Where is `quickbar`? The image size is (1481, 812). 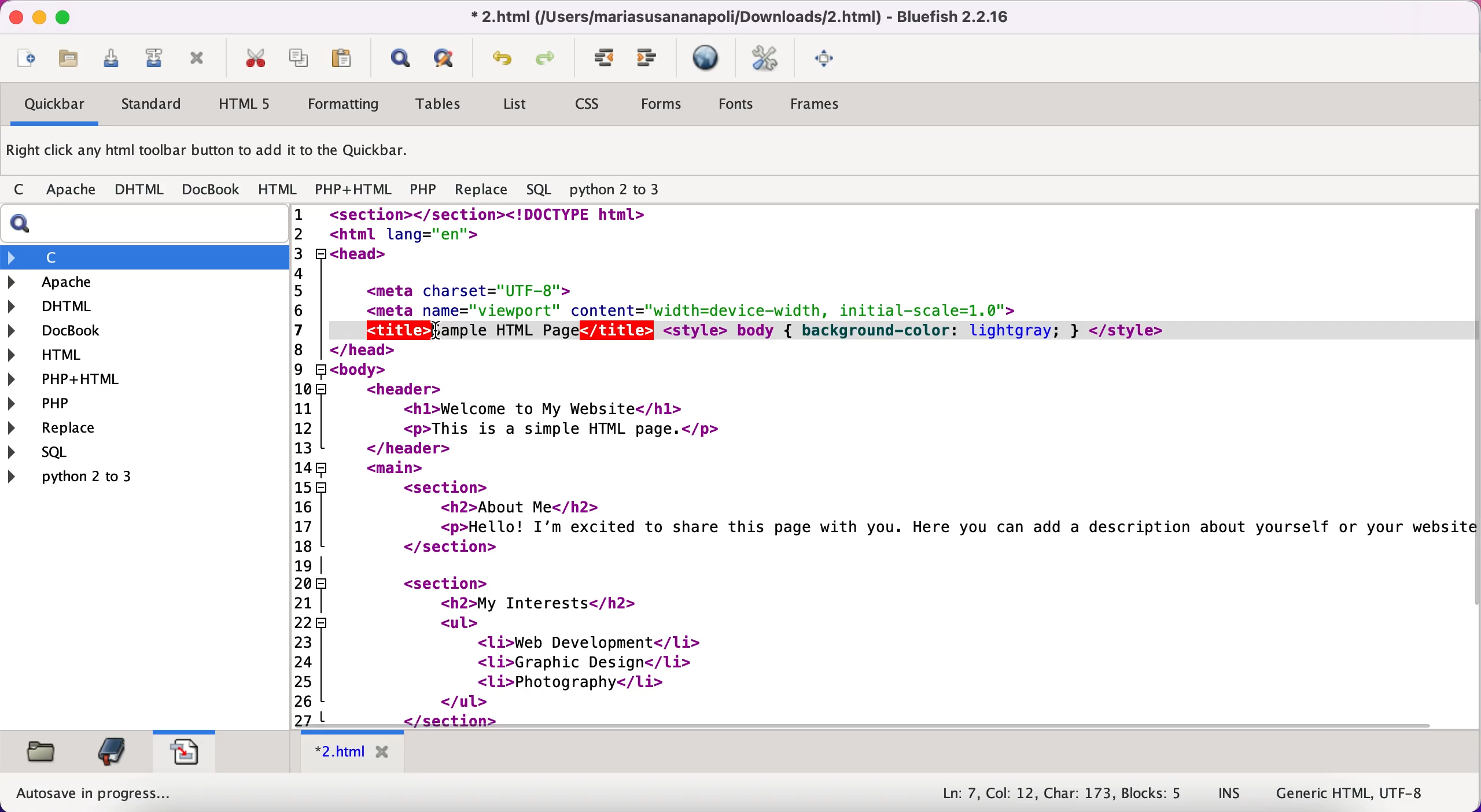 quickbar is located at coordinates (53, 106).